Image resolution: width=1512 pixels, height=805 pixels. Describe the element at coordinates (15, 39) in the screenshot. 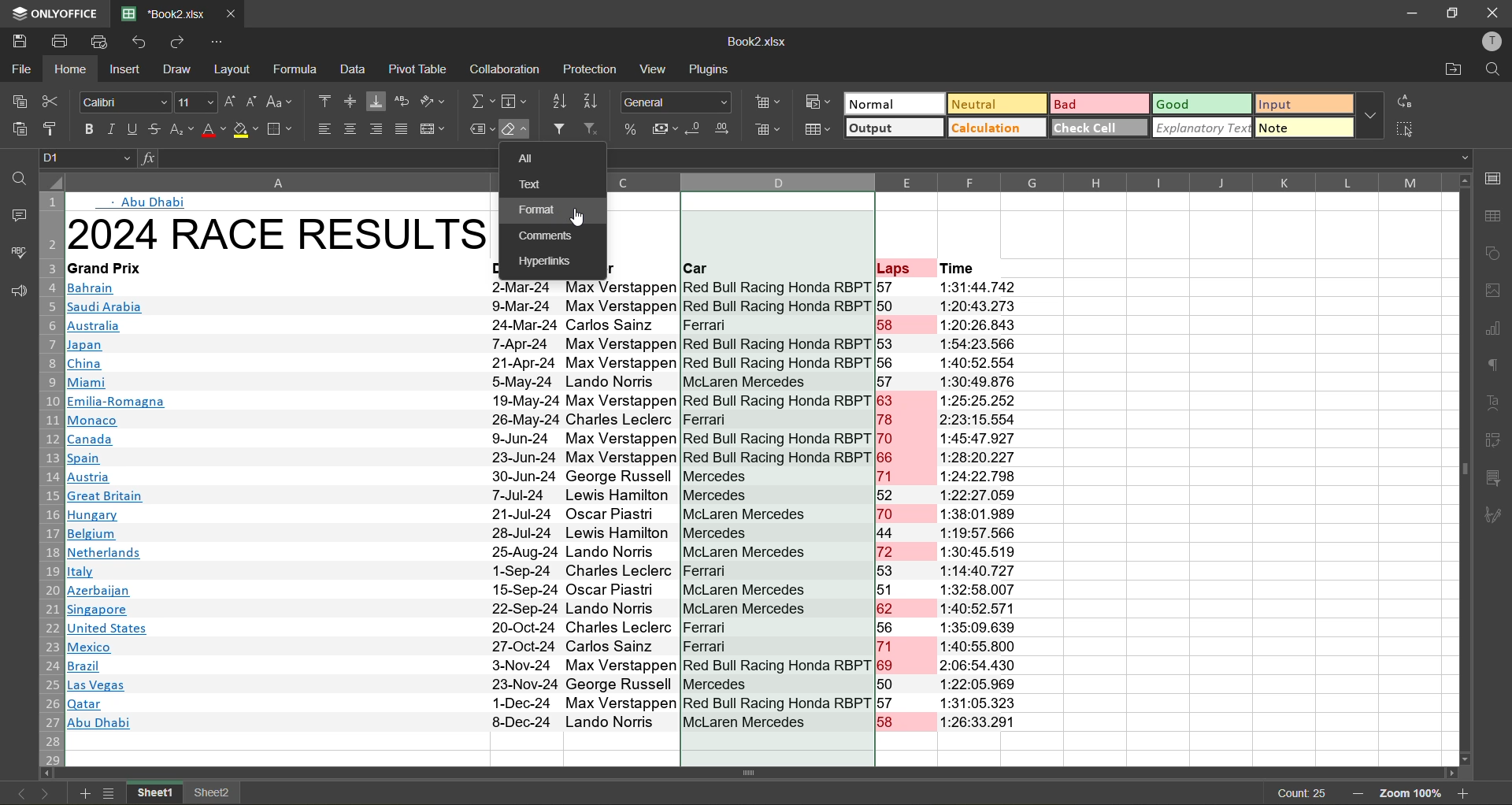

I see `save` at that location.